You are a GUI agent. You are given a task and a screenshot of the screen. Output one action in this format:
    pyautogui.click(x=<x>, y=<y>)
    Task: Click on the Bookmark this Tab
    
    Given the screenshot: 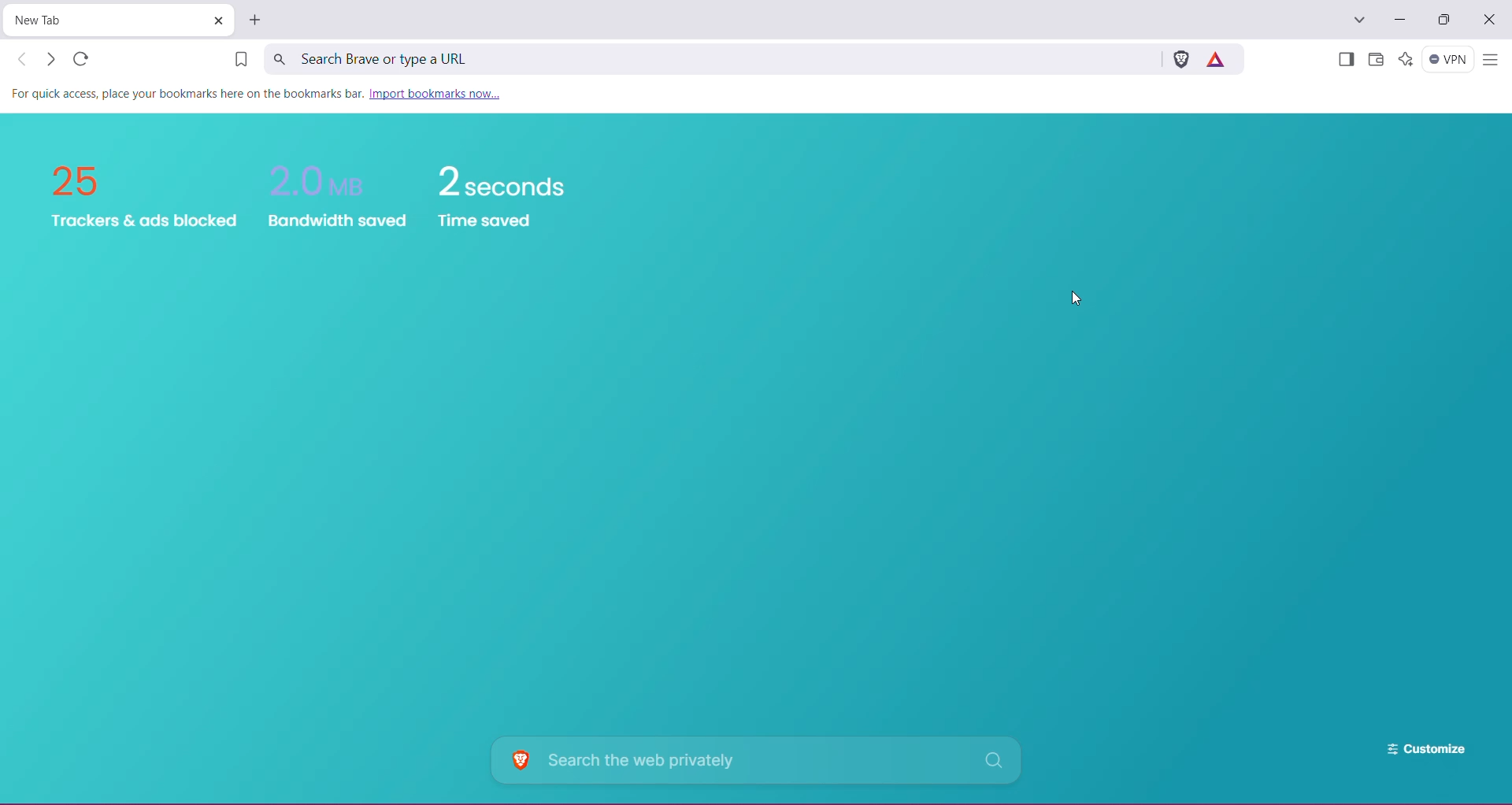 What is the action you would take?
    pyautogui.click(x=235, y=61)
    